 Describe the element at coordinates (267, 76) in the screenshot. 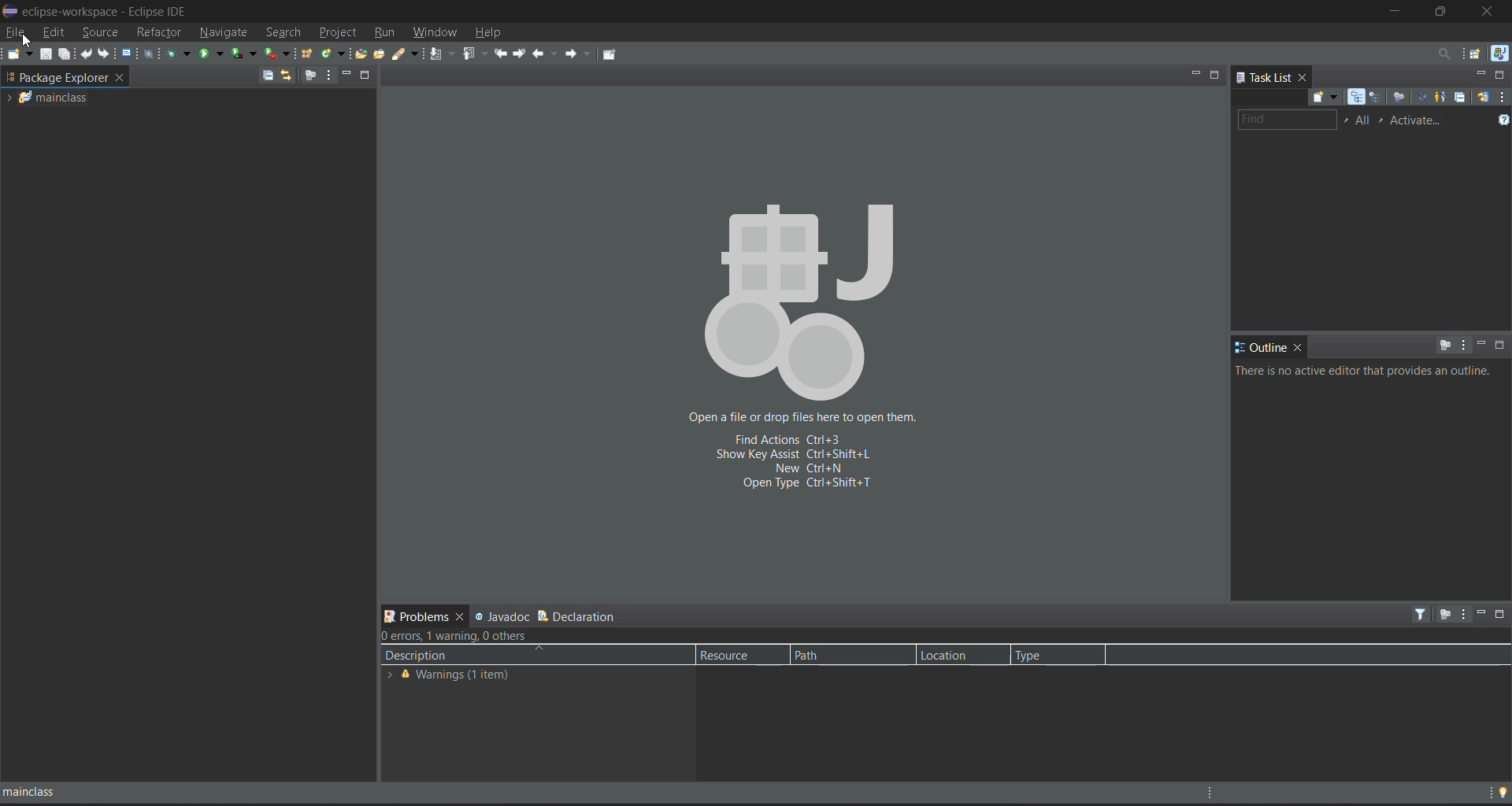

I see `collapse all` at that location.